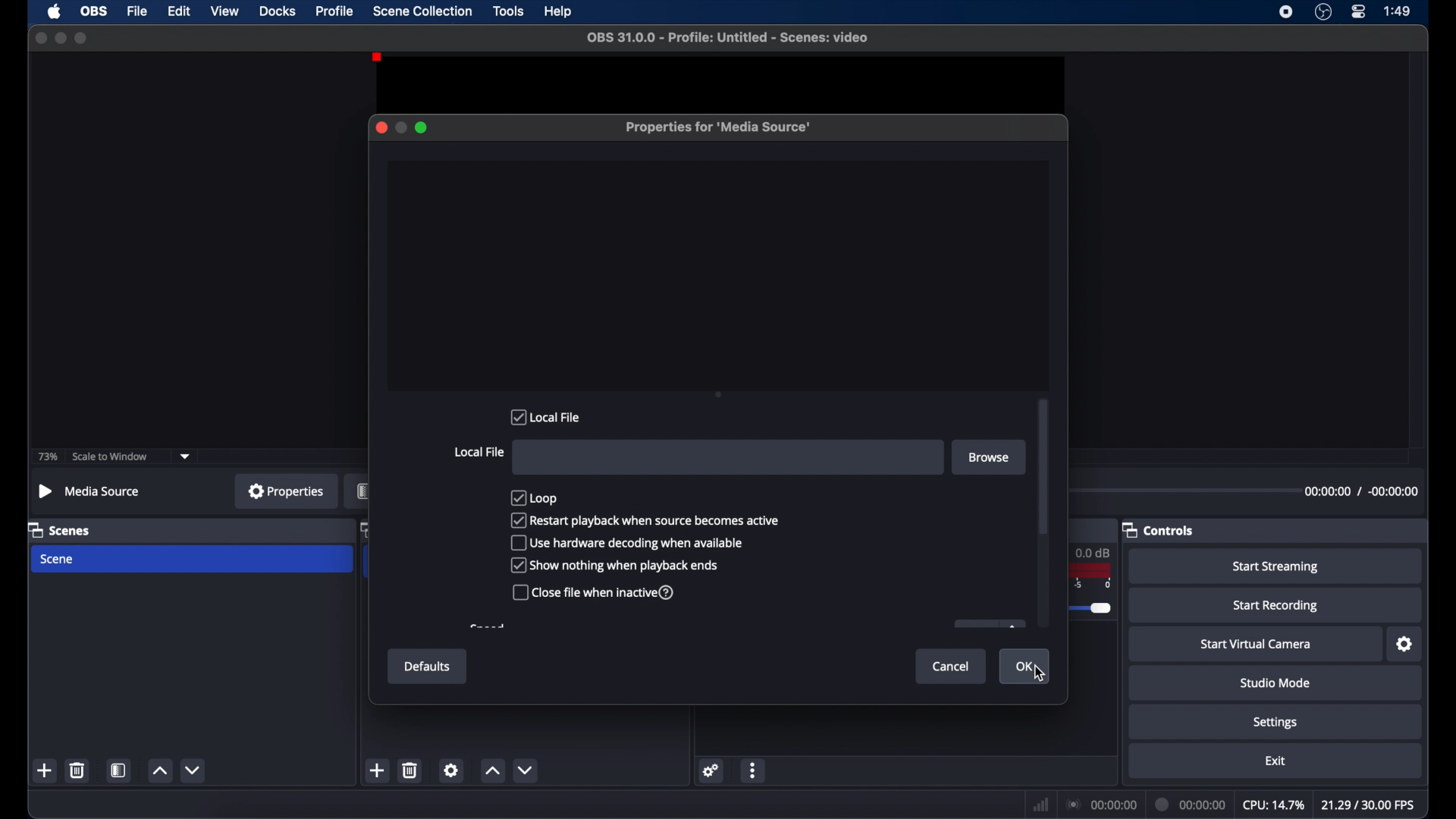 The image size is (1456, 819). I want to click on duration, so click(1192, 803).